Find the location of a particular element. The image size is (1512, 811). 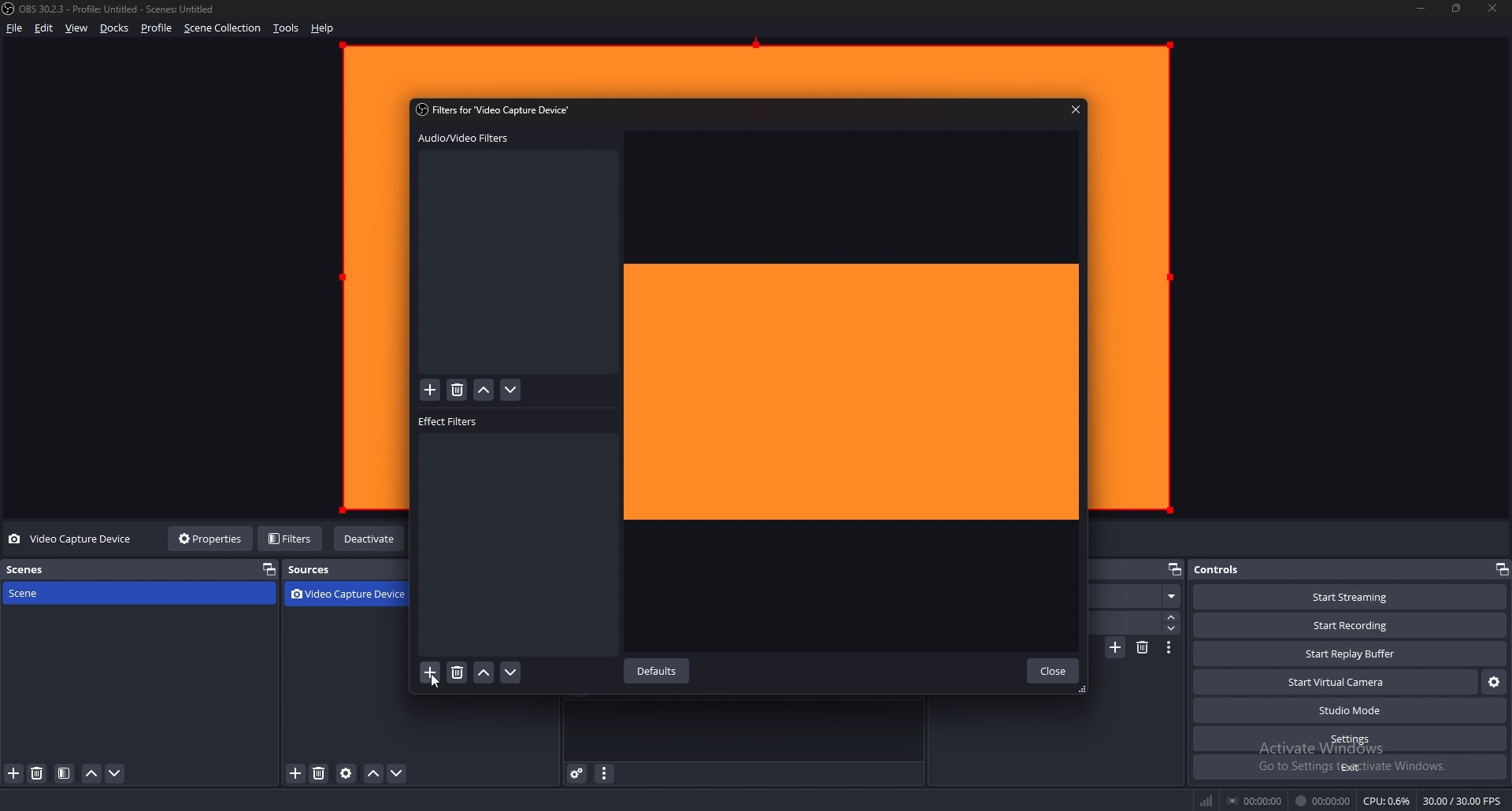

preview is located at coordinates (855, 391).